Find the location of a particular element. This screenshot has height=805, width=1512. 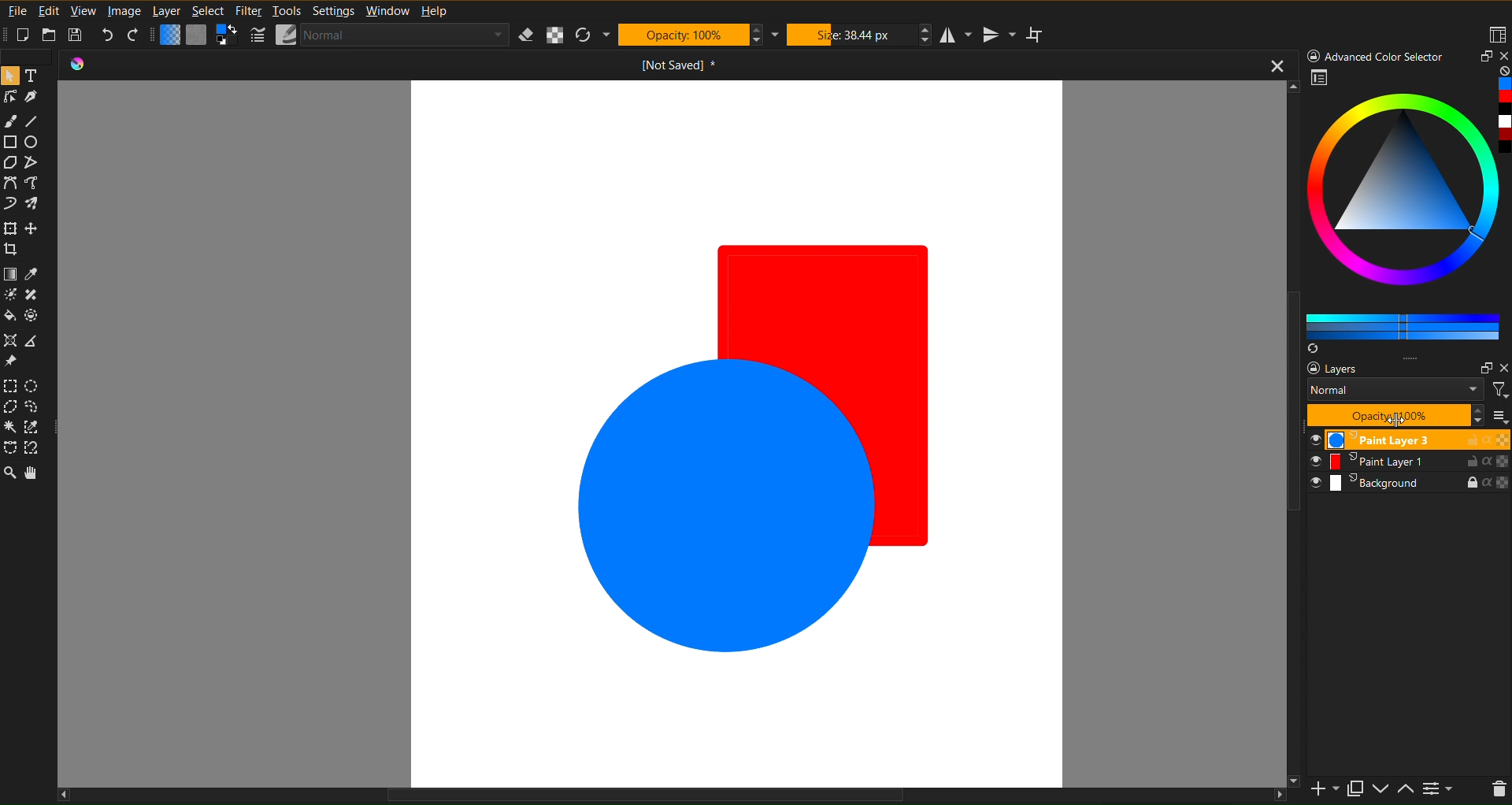

Maximize is located at coordinates (1480, 58).